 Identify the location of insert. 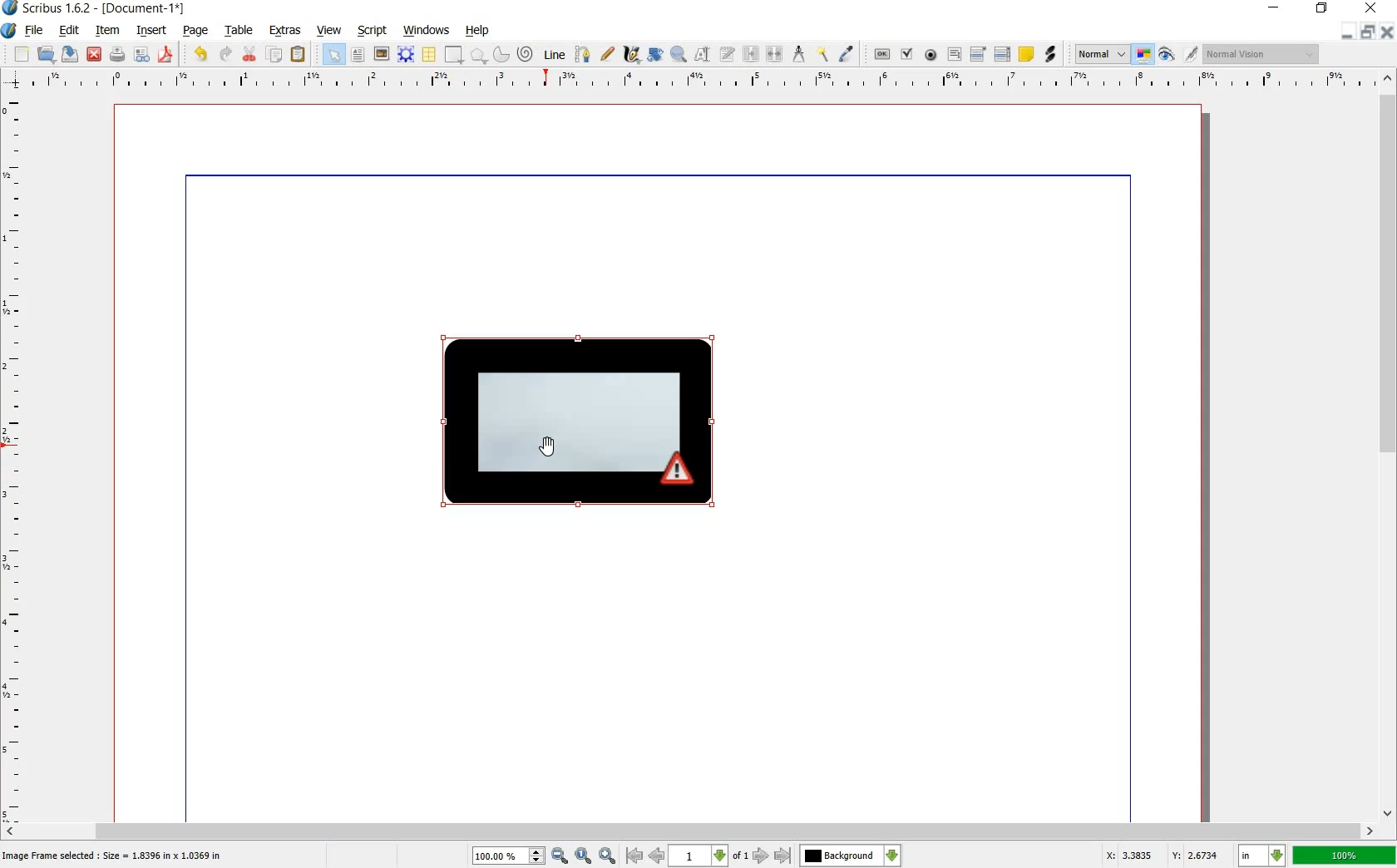
(152, 32).